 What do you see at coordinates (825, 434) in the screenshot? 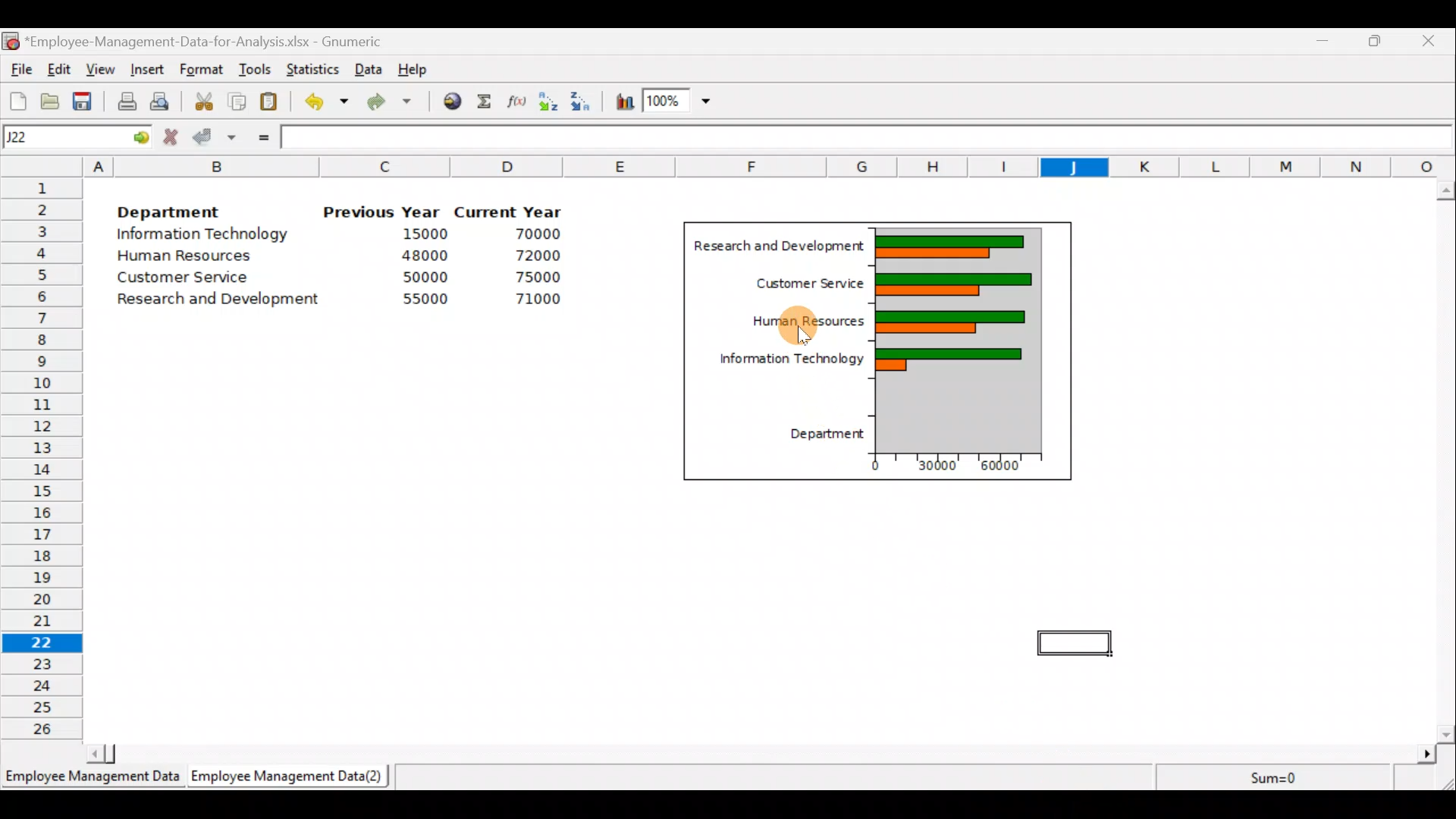
I see `Department` at bounding box center [825, 434].